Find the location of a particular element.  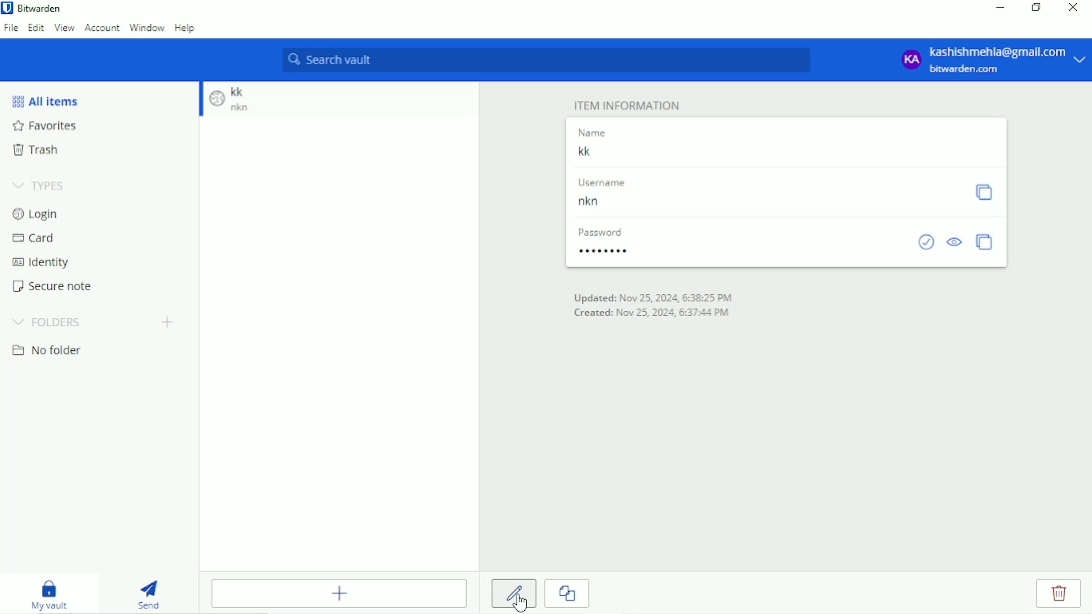

Favorites is located at coordinates (48, 126).